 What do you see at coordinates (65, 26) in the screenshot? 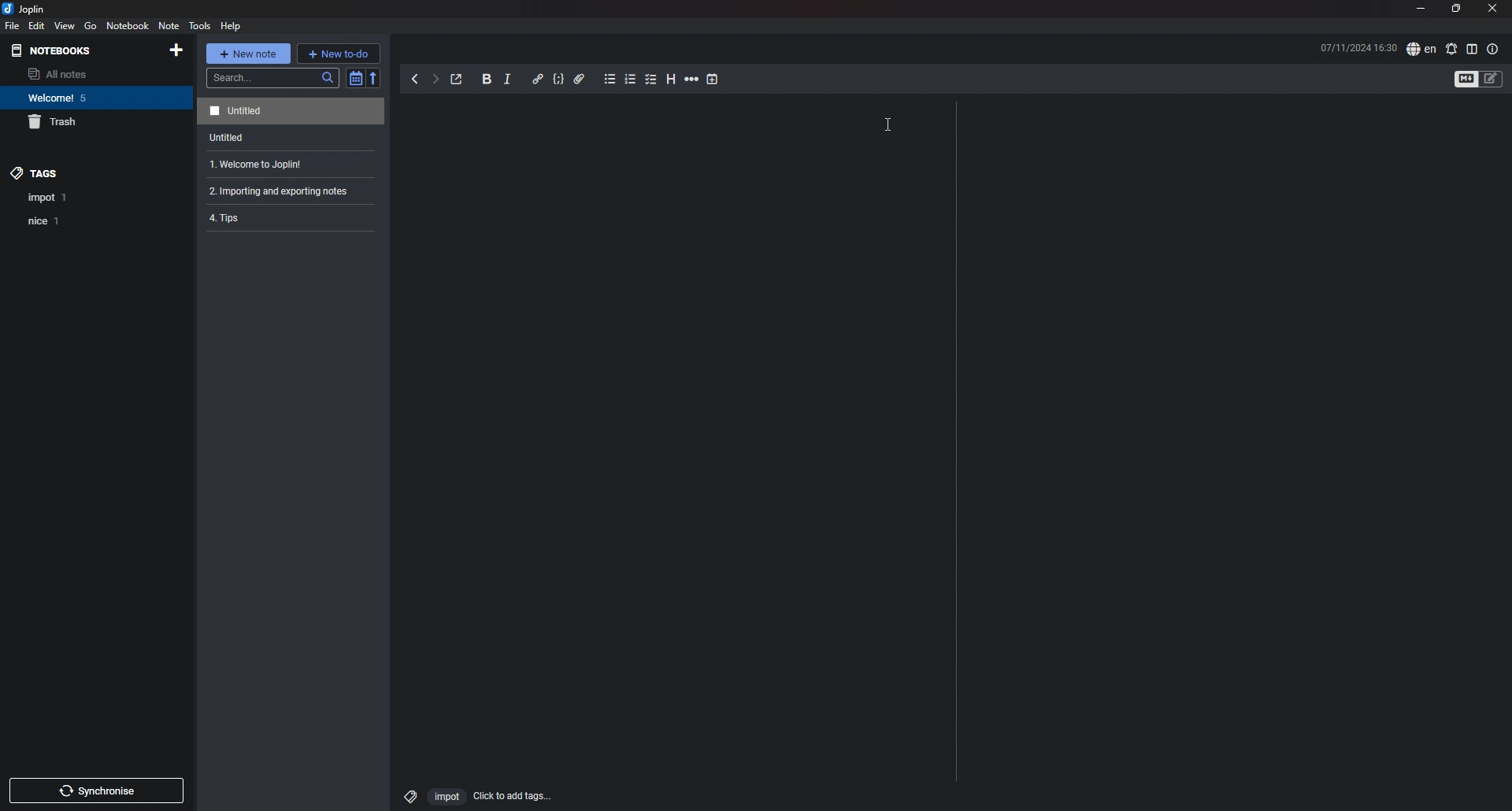
I see `view` at bounding box center [65, 26].